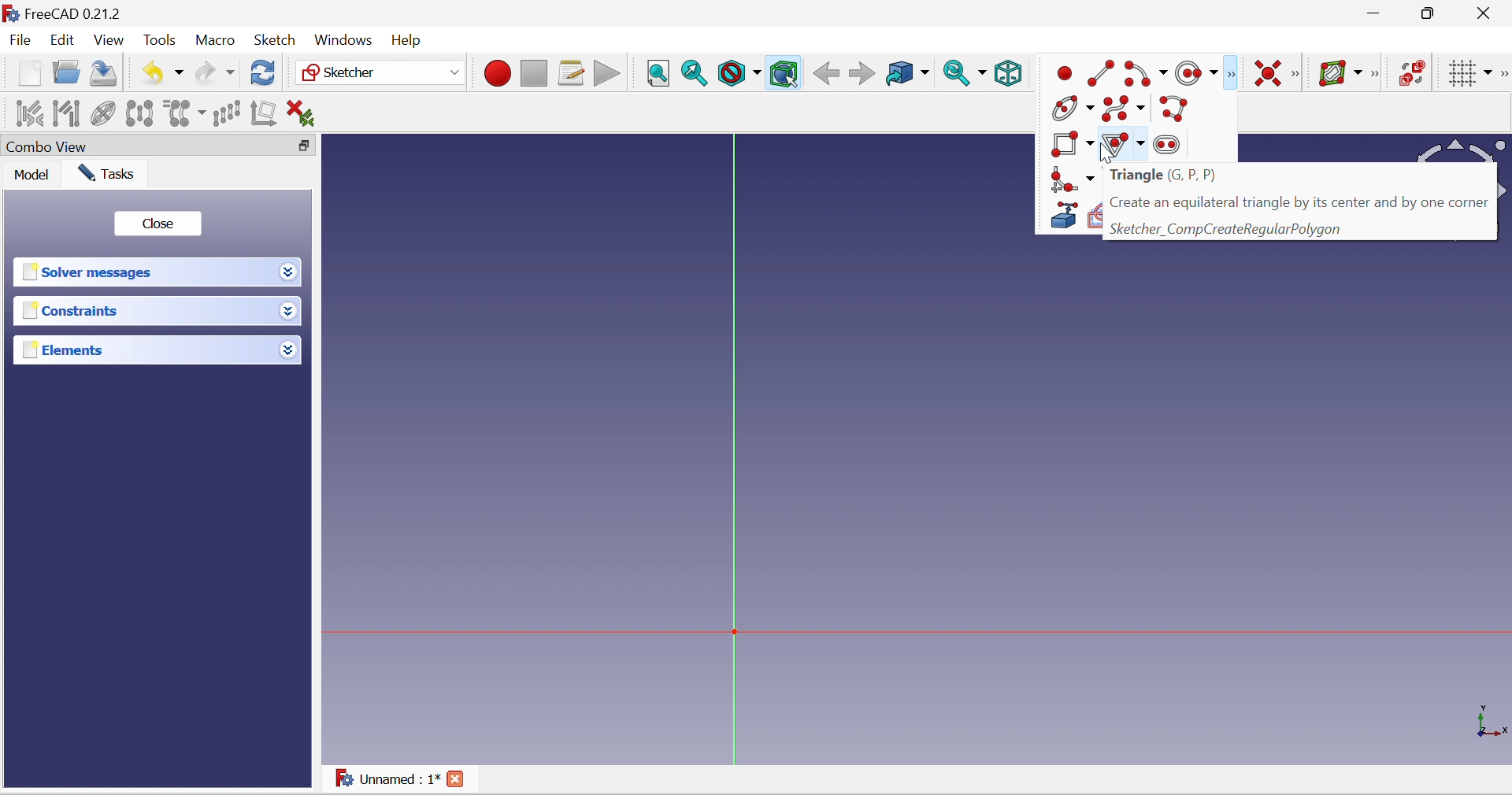 This screenshot has width=1512, height=795. Describe the element at coordinates (1299, 176) in the screenshot. I see `Triangle (G,P,P)` at that location.